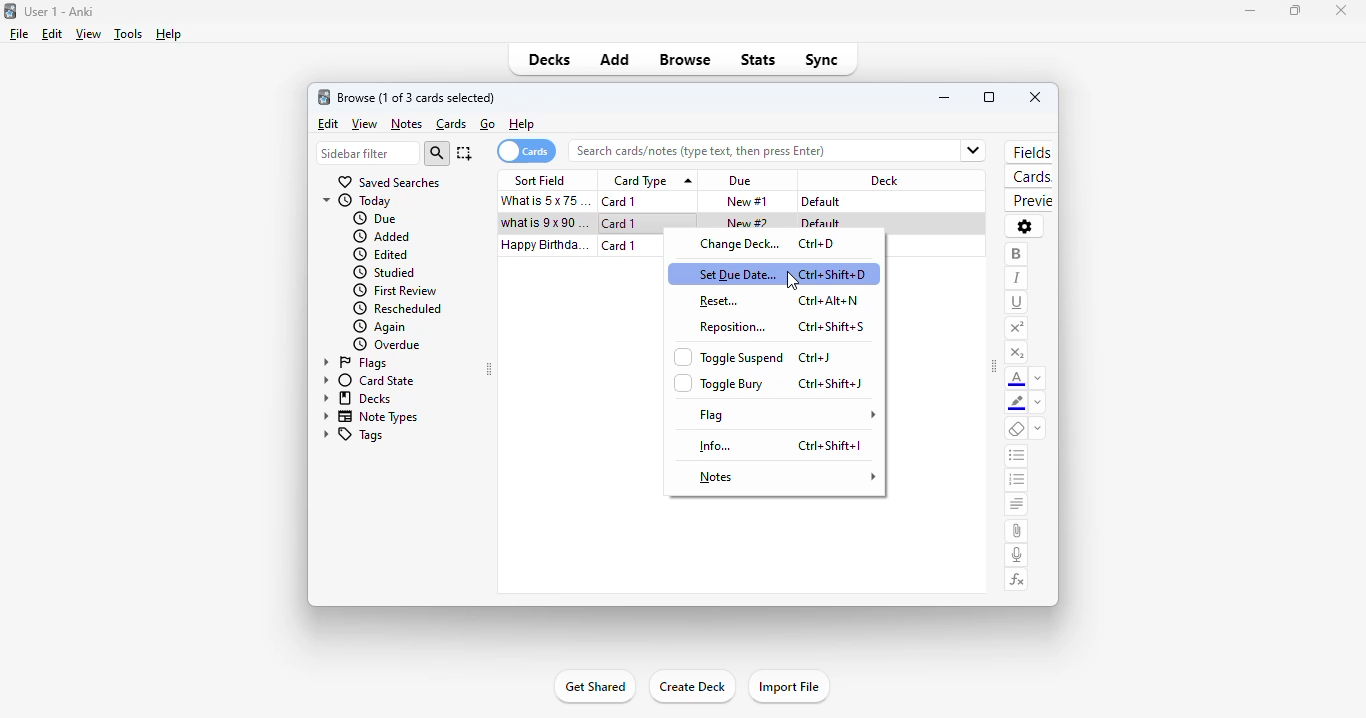  What do you see at coordinates (170, 35) in the screenshot?
I see `help` at bounding box center [170, 35].